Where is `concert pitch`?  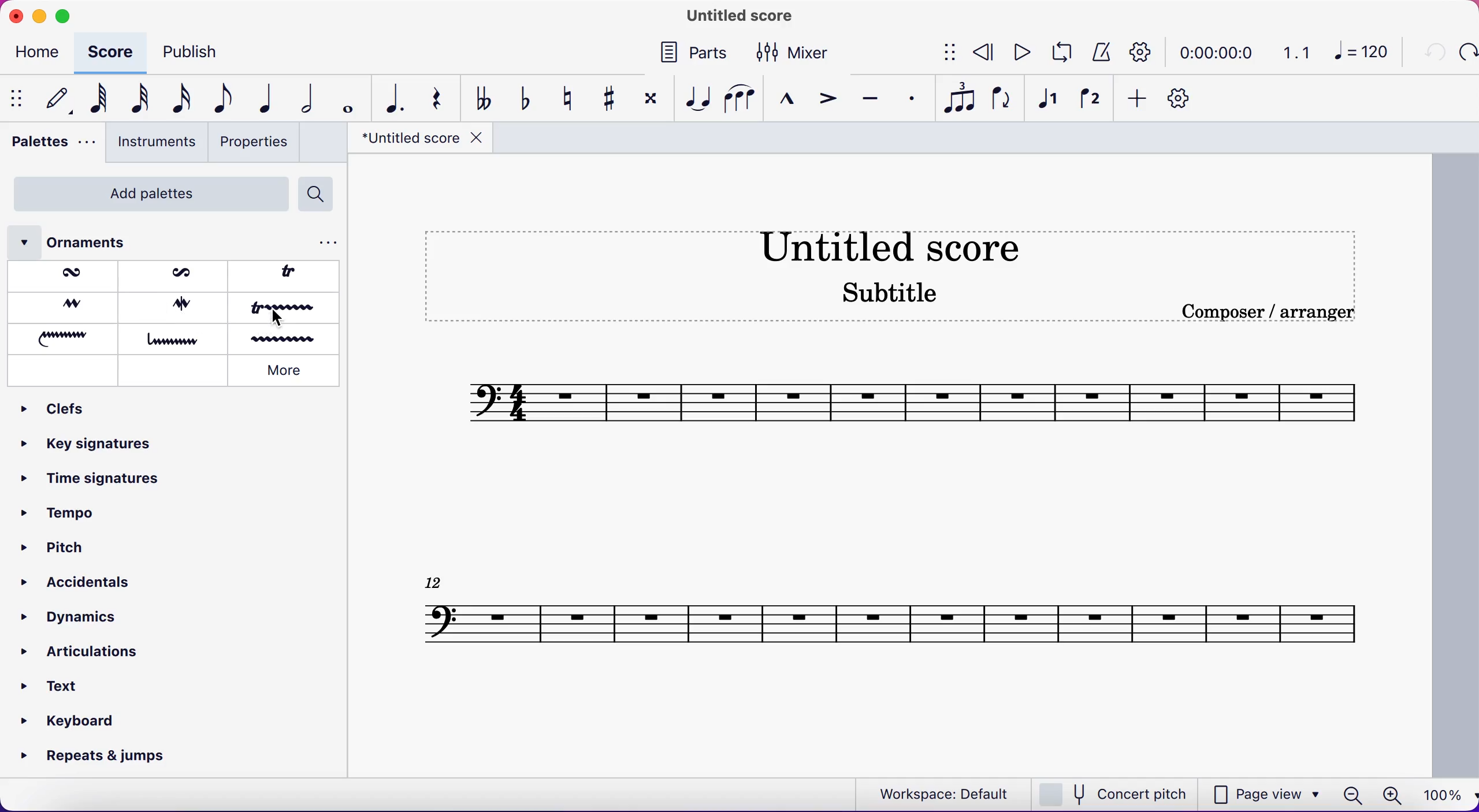
concert pitch is located at coordinates (1116, 793).